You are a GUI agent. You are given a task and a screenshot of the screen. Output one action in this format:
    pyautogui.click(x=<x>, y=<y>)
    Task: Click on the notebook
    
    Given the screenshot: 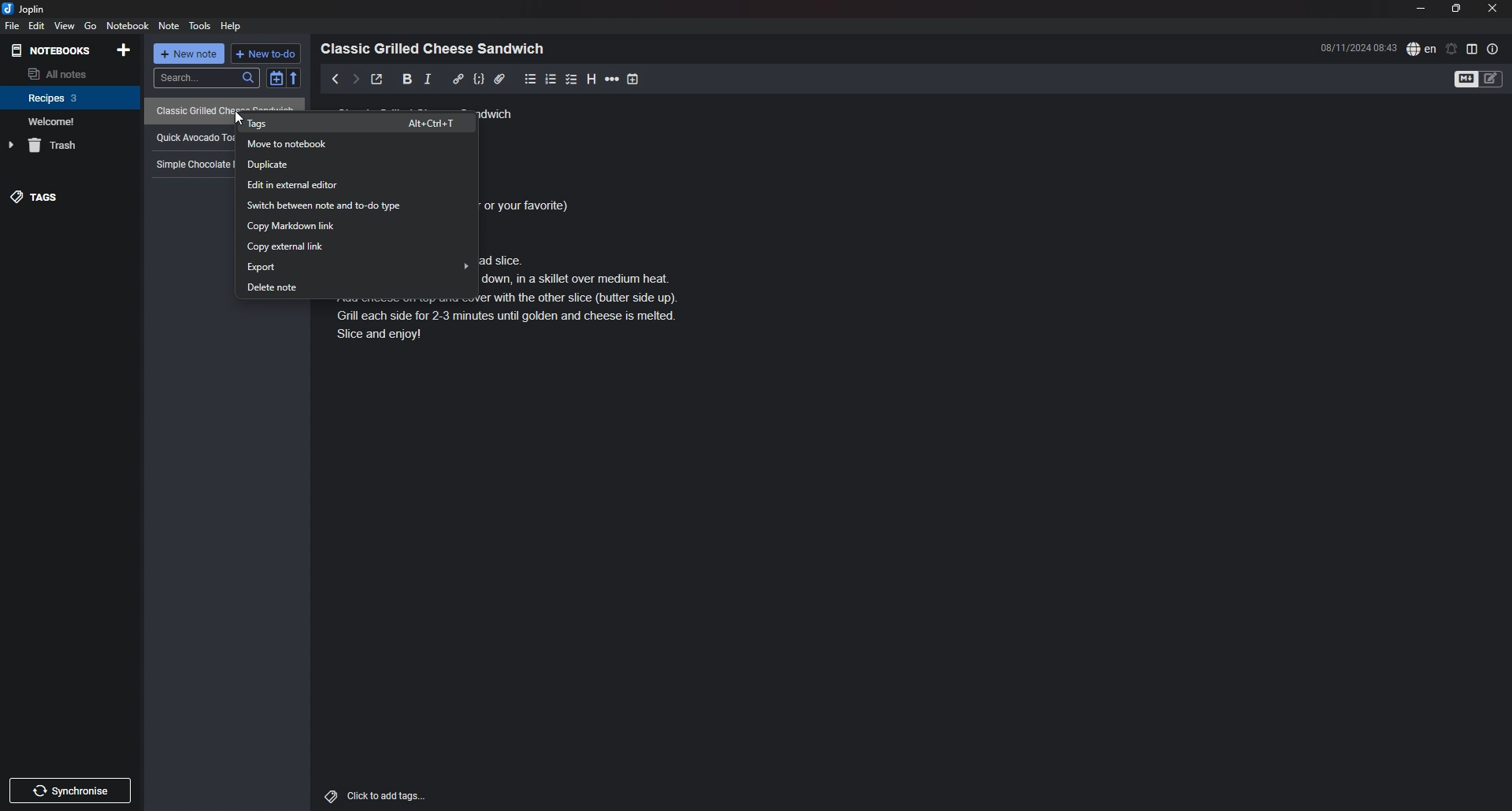 What is the action you would take?
    pyautogui.click(x=69, y=121)
    